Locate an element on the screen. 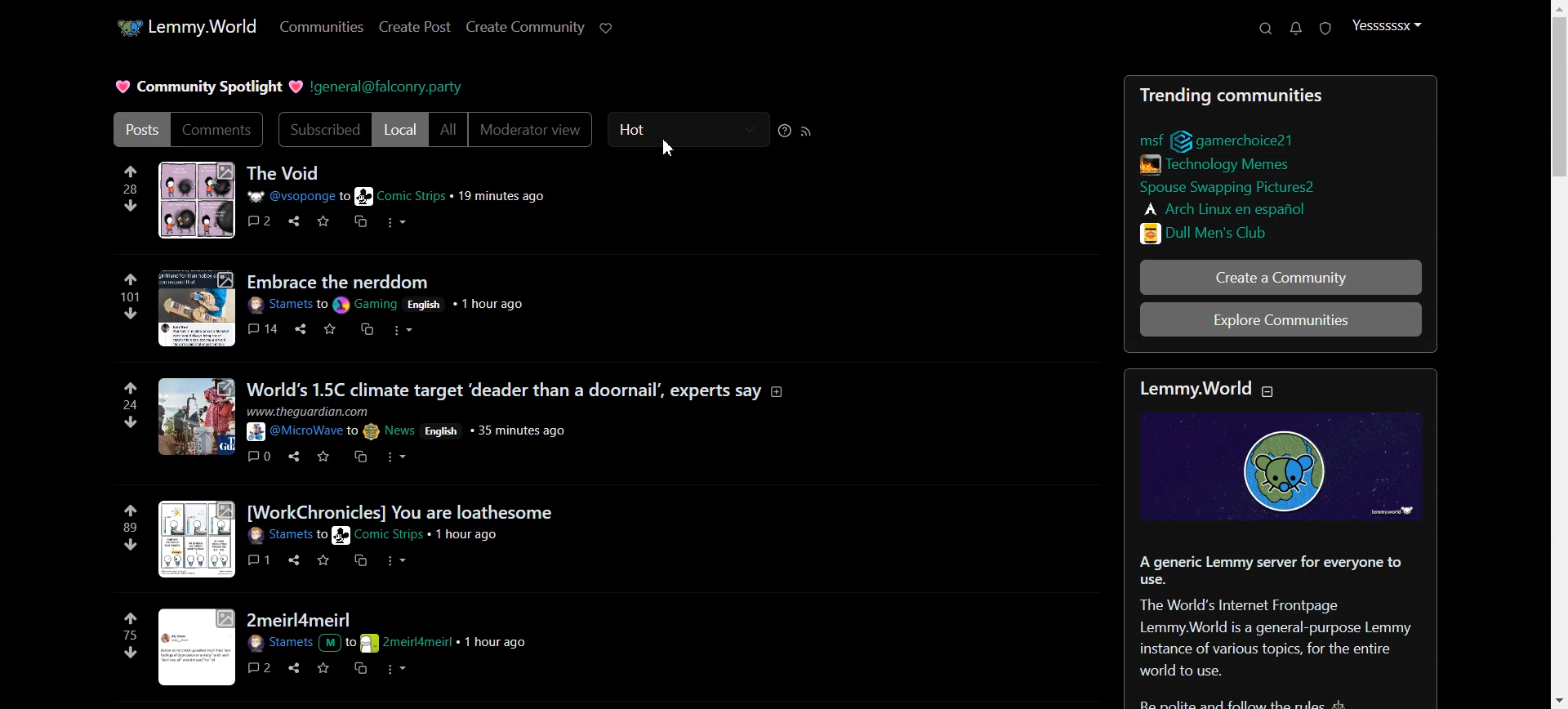  Search is located at coordinates (1266, 29).